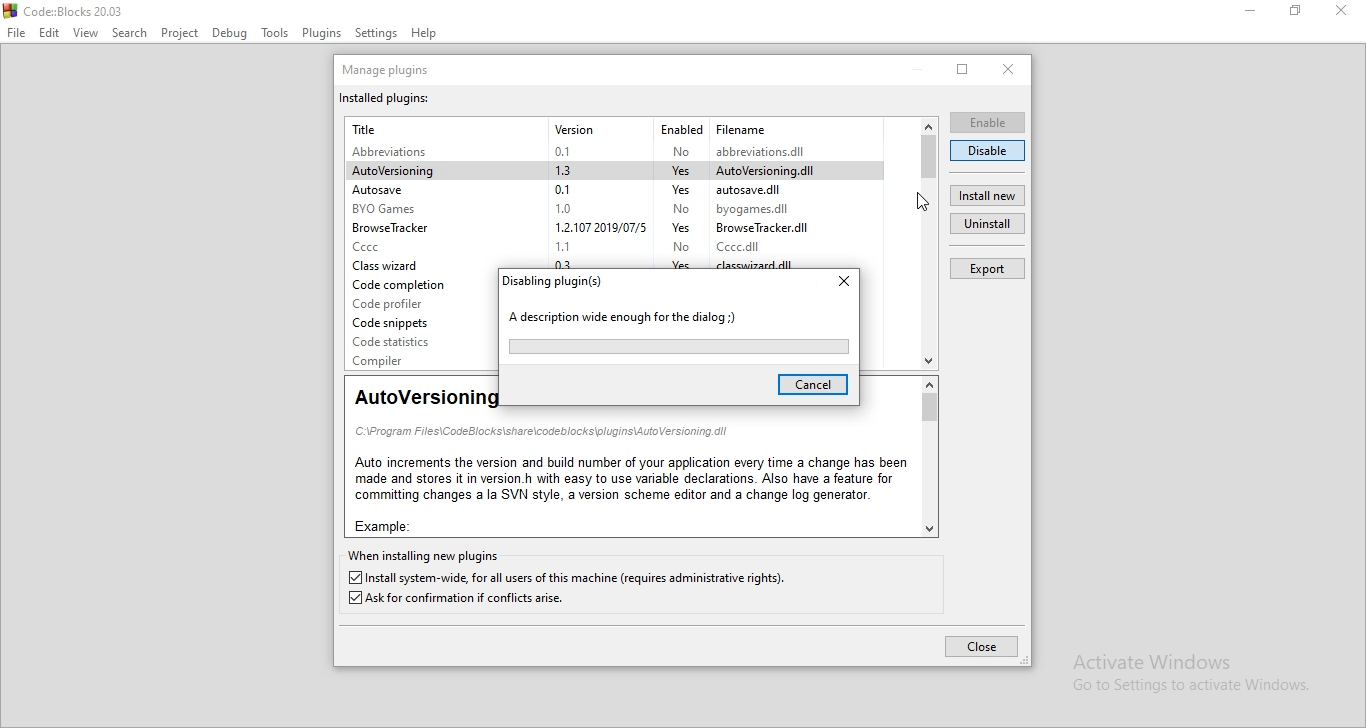 This screenshot has width=1366, height=728. Describe the element at coordinates (426, 398) in the screenshot. I see `AutoVersioning` at that location.